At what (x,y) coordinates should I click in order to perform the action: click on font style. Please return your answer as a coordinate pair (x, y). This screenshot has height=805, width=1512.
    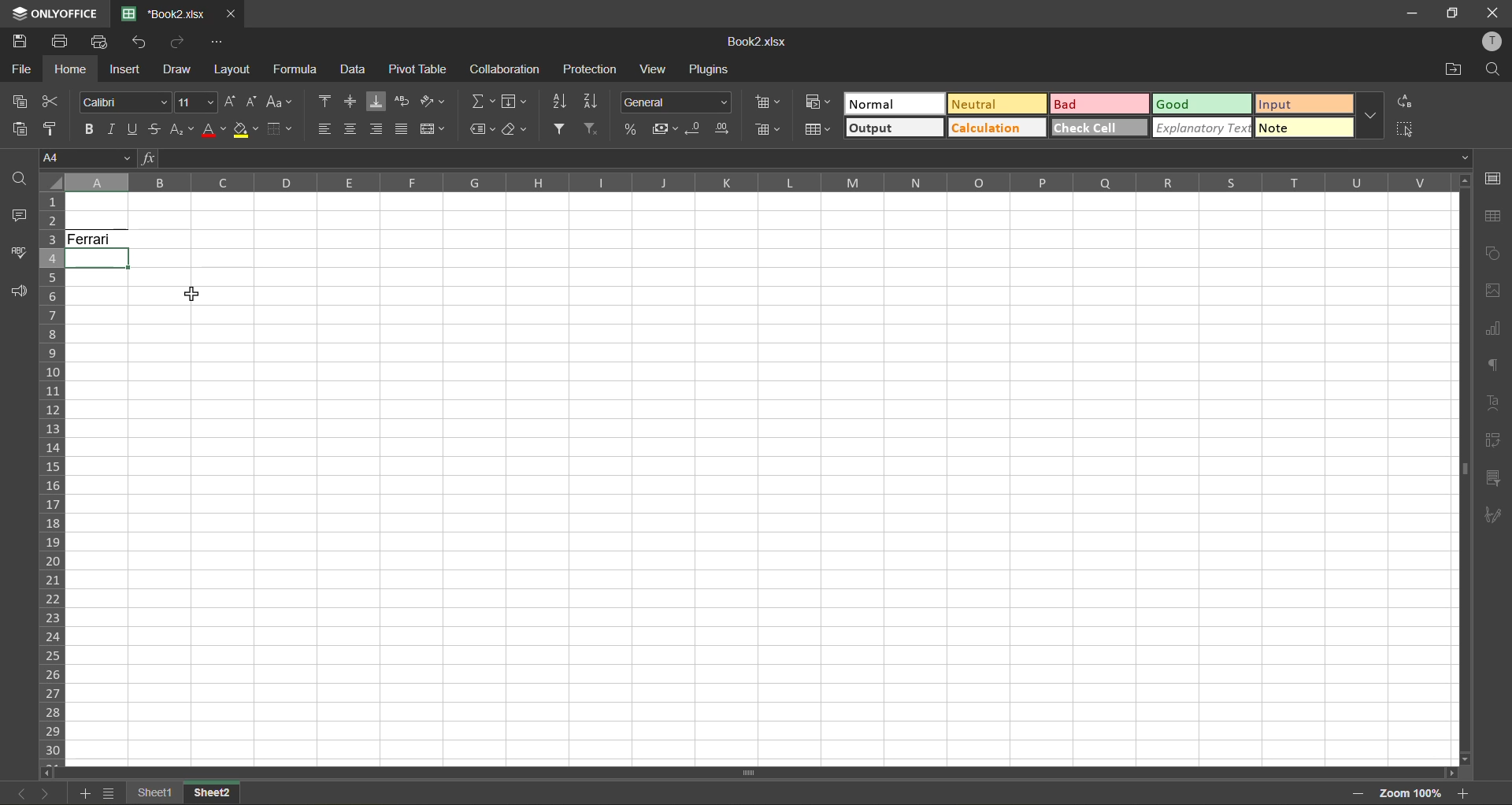
    Looking at the image, I should click on (124, 102).